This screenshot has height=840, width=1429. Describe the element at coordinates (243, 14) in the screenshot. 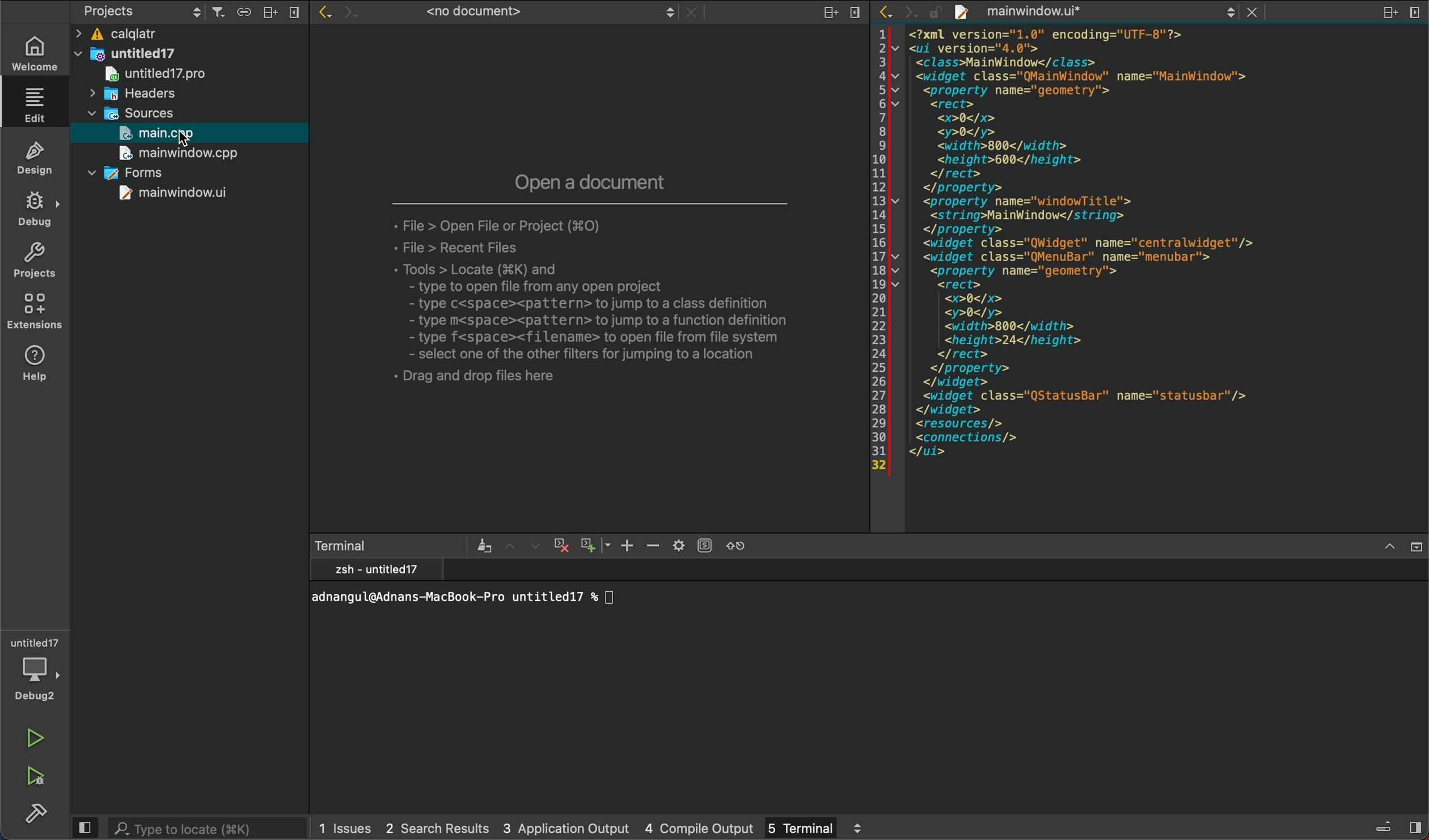

I see `syncronize with editor` at that location.